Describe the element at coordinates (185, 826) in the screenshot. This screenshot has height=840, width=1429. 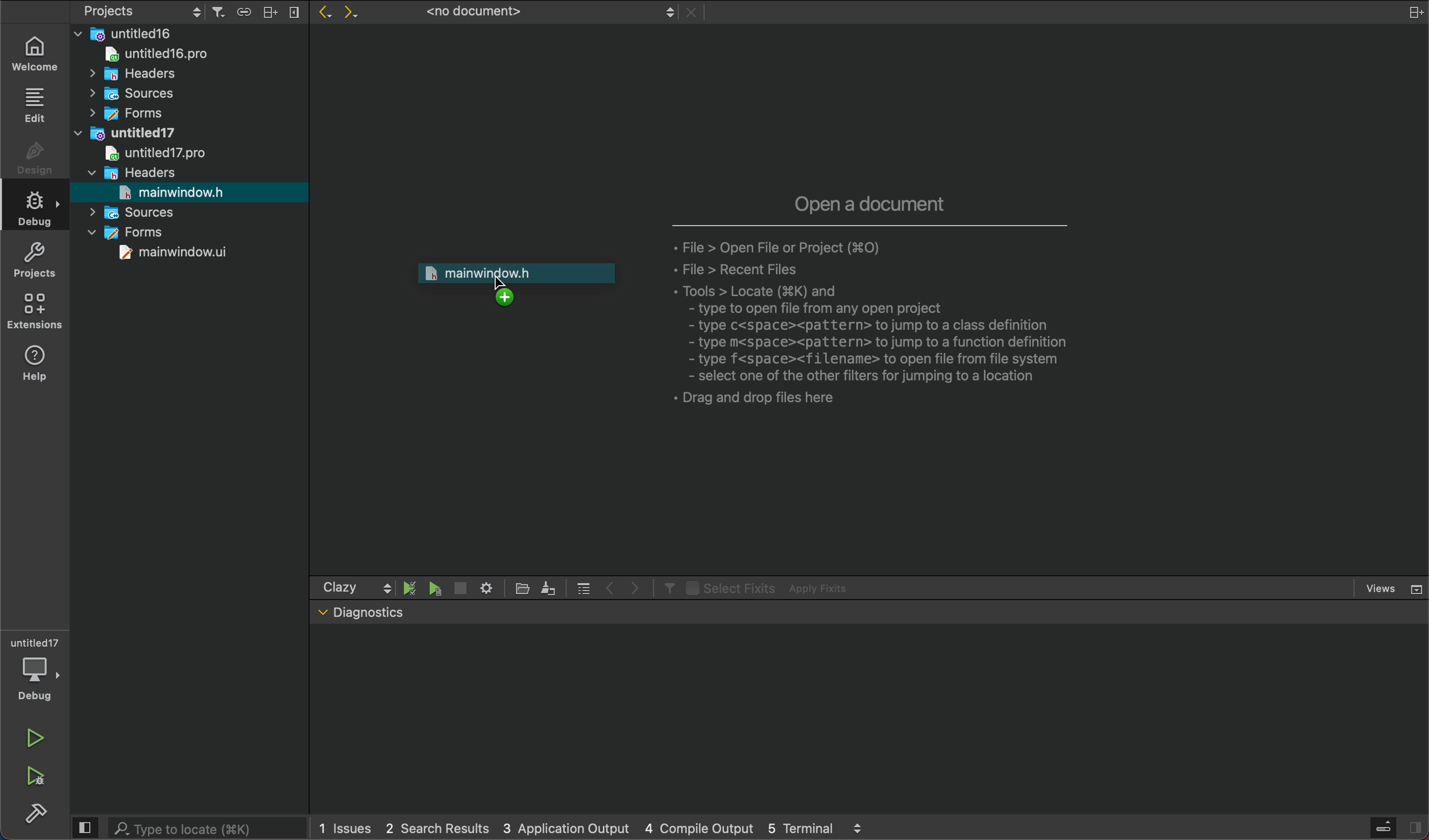
I see `search` at that location.